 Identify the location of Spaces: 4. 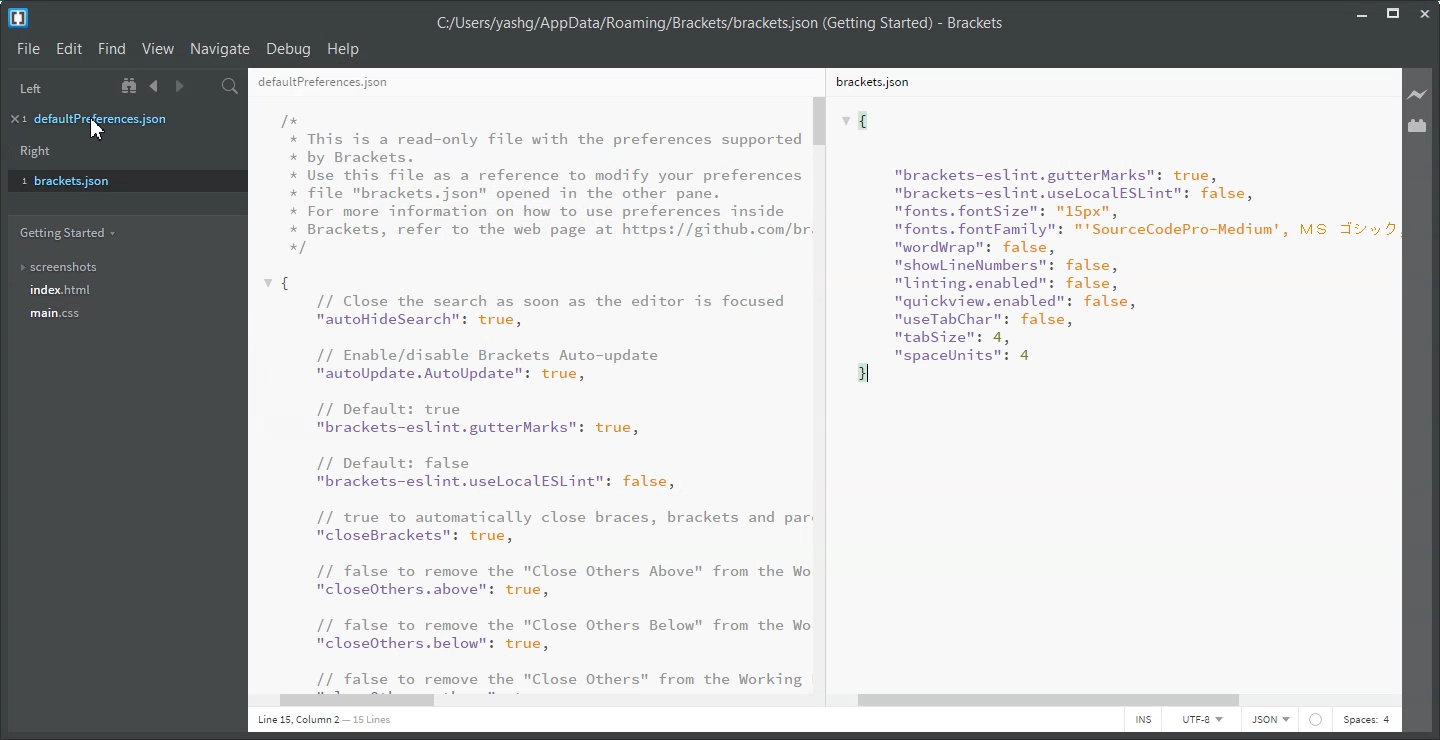
(1366, 721).